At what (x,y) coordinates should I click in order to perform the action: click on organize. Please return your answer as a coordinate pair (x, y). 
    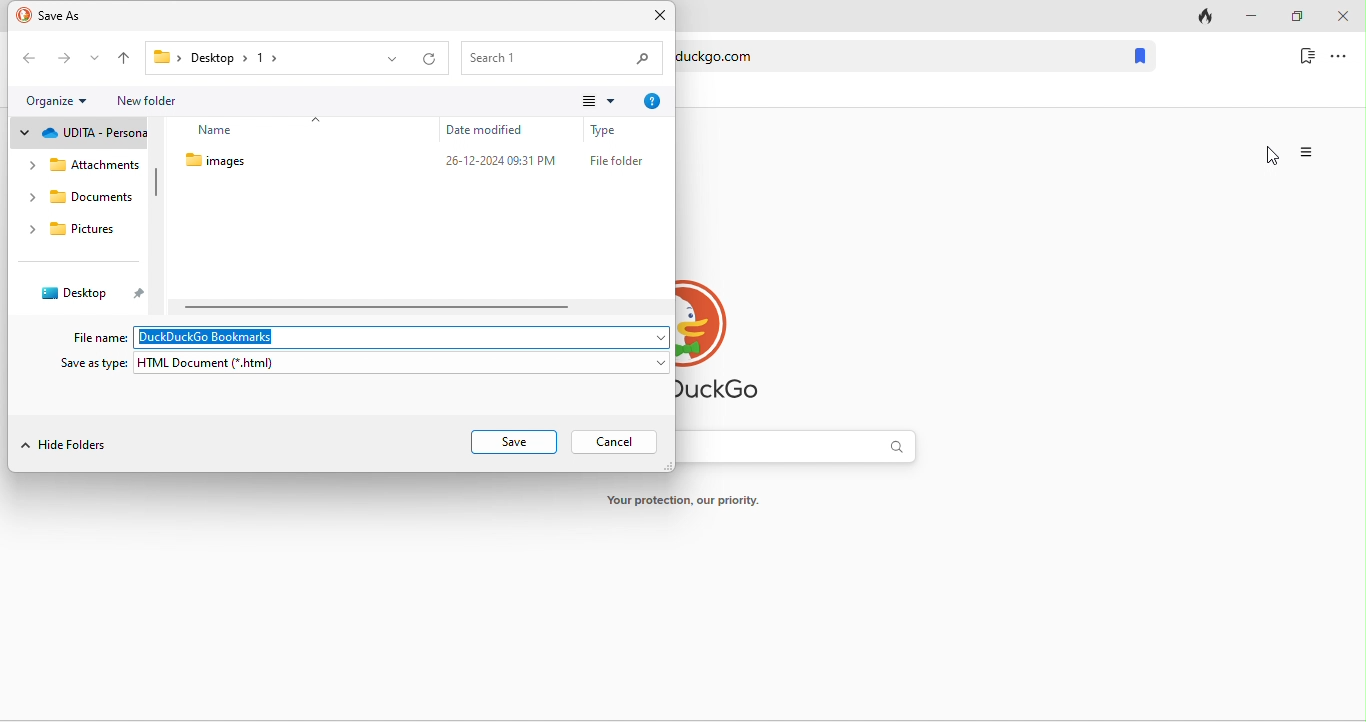
    Looking at the image, I should click on (62, 101).